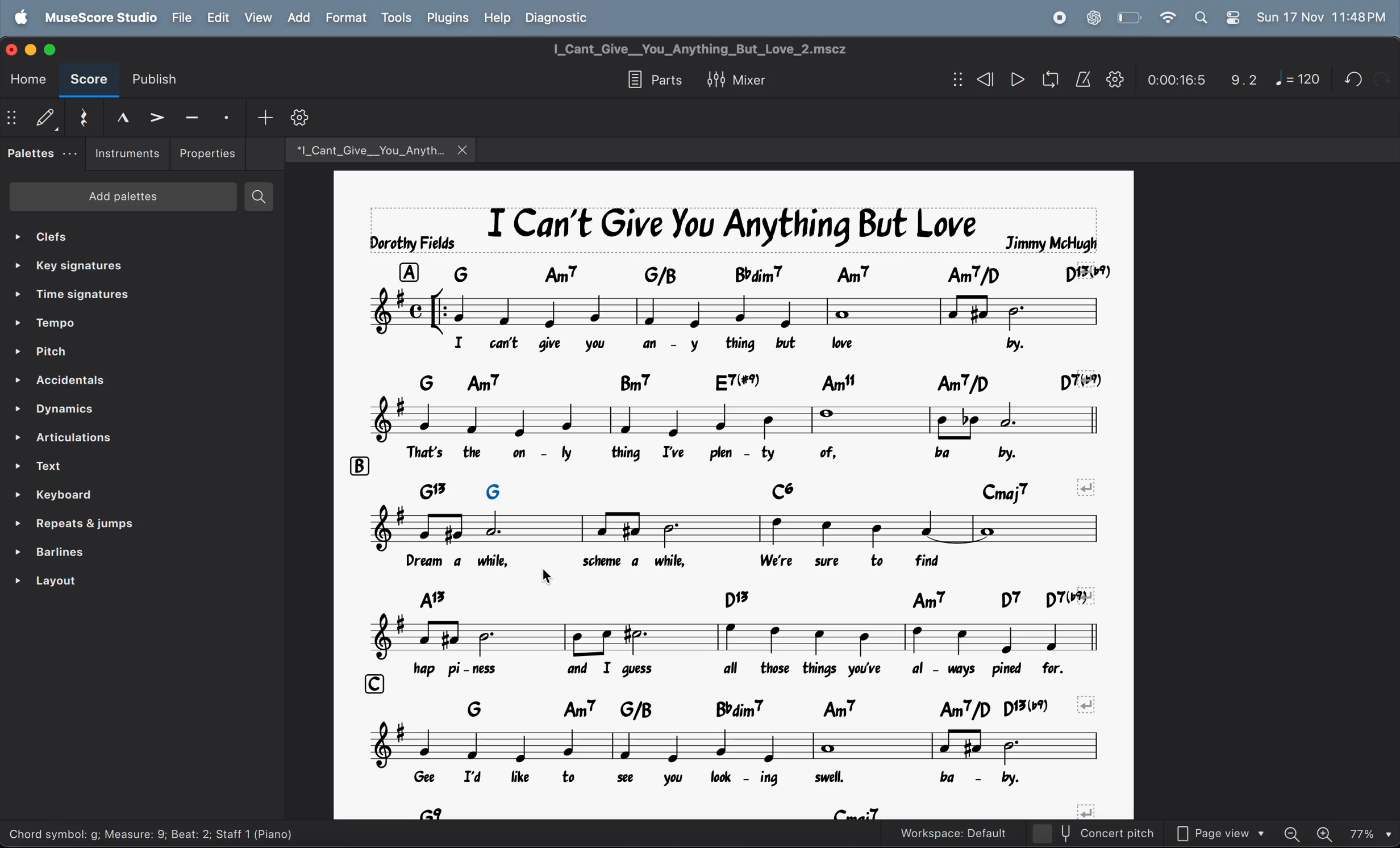 This screenshot has height=848, width=1400. What do you see at coordinates (1296, 79) in the screenshot?
I see `note 120` at bounding box center [1296, 79].